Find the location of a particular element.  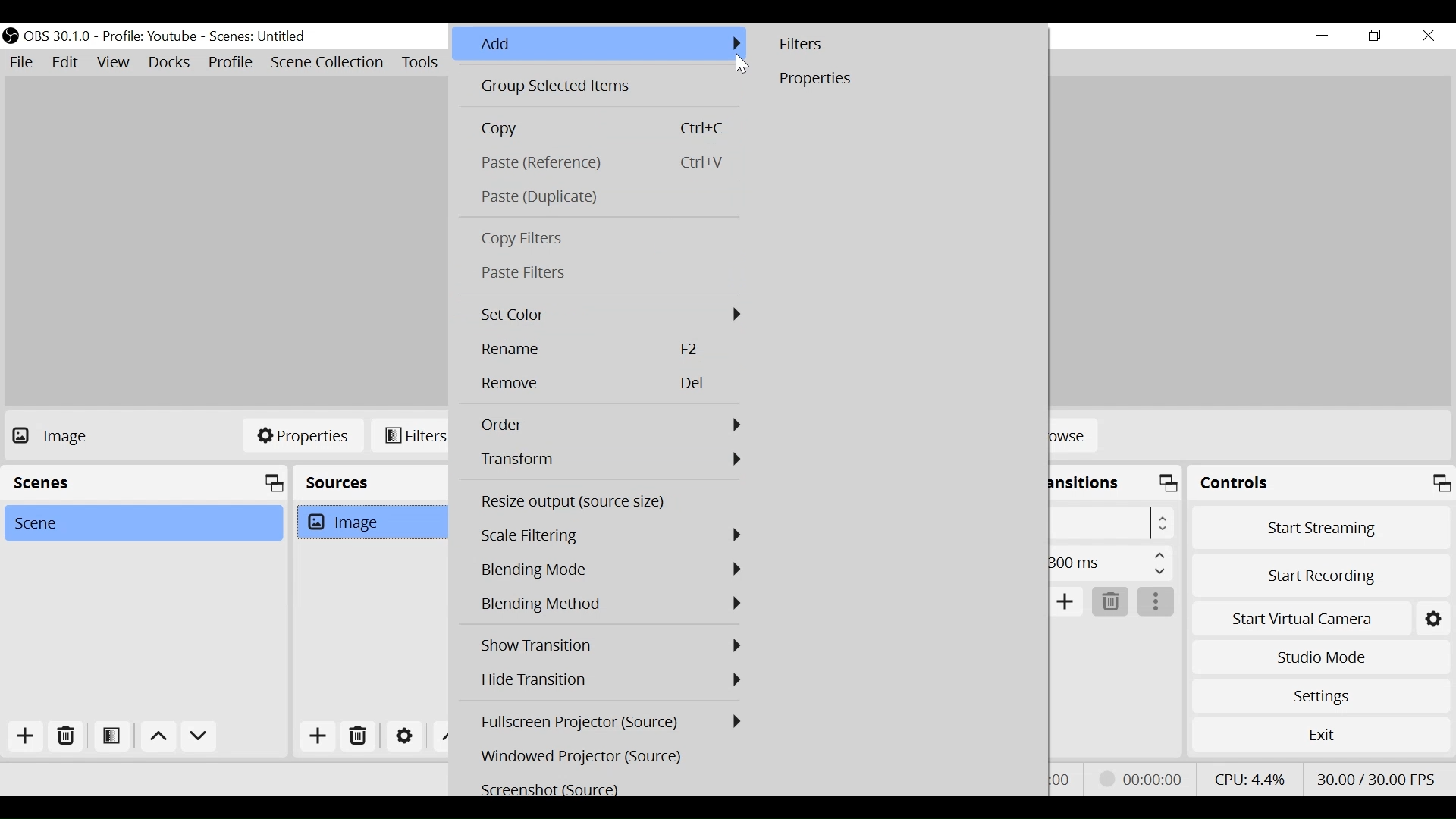

Remove is located at coordinates (604, 384).